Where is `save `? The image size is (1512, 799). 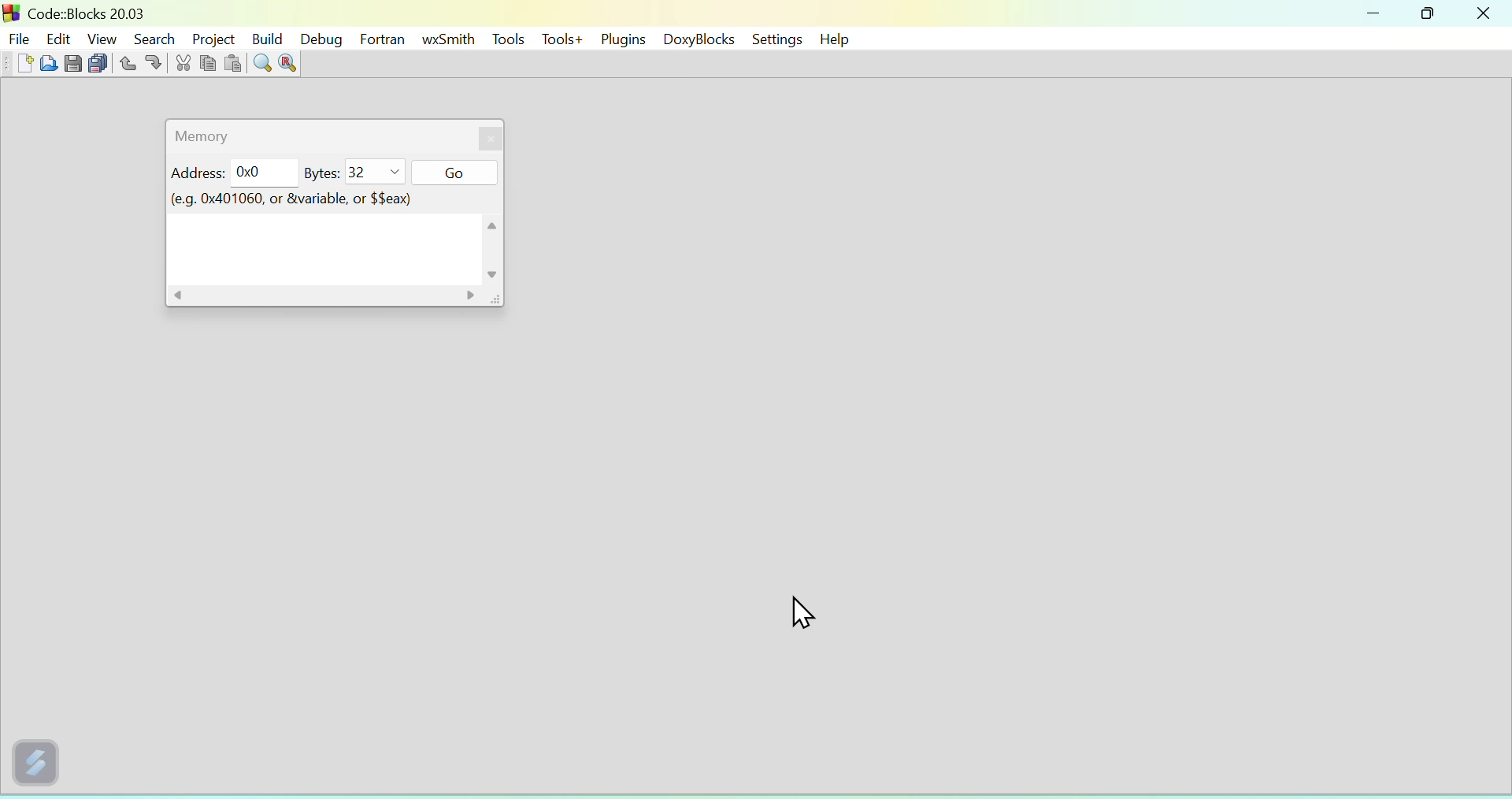
save  is located at coordinates (71, 64).